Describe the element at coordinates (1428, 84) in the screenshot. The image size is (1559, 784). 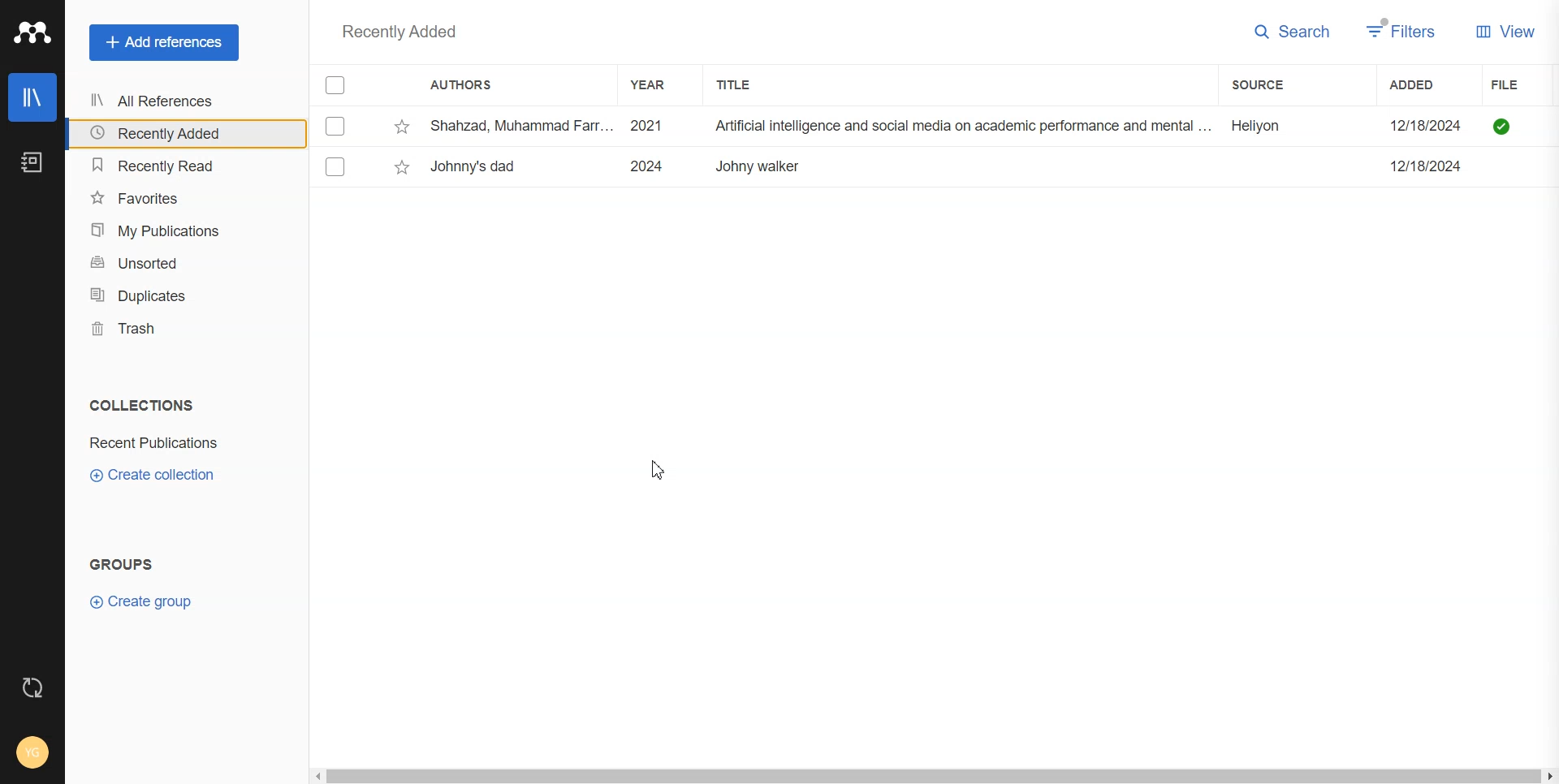
I see `Added` at that location.